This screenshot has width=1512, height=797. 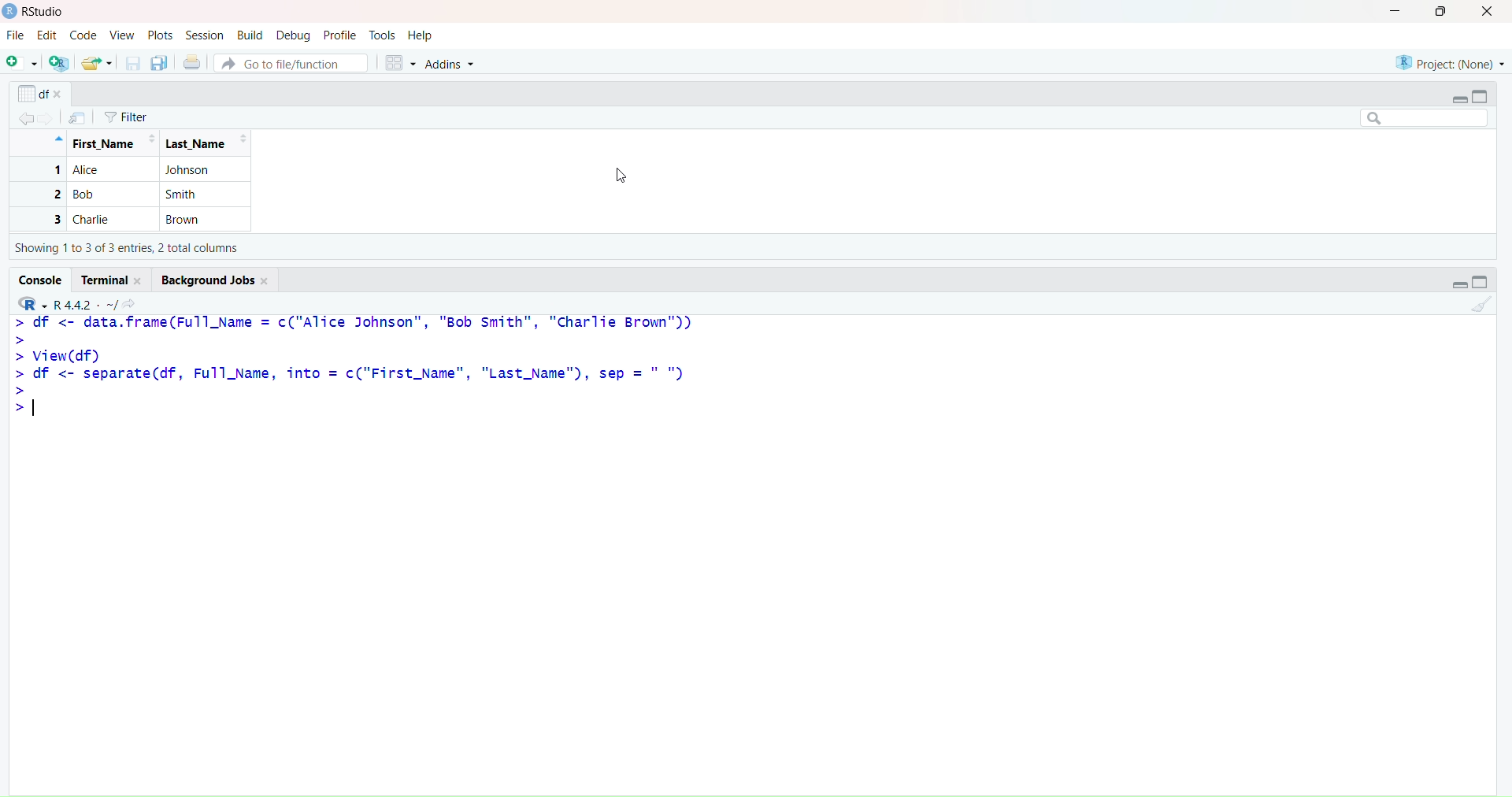 I want to click on R 4.4.2~/, so click(x=87, y=302).